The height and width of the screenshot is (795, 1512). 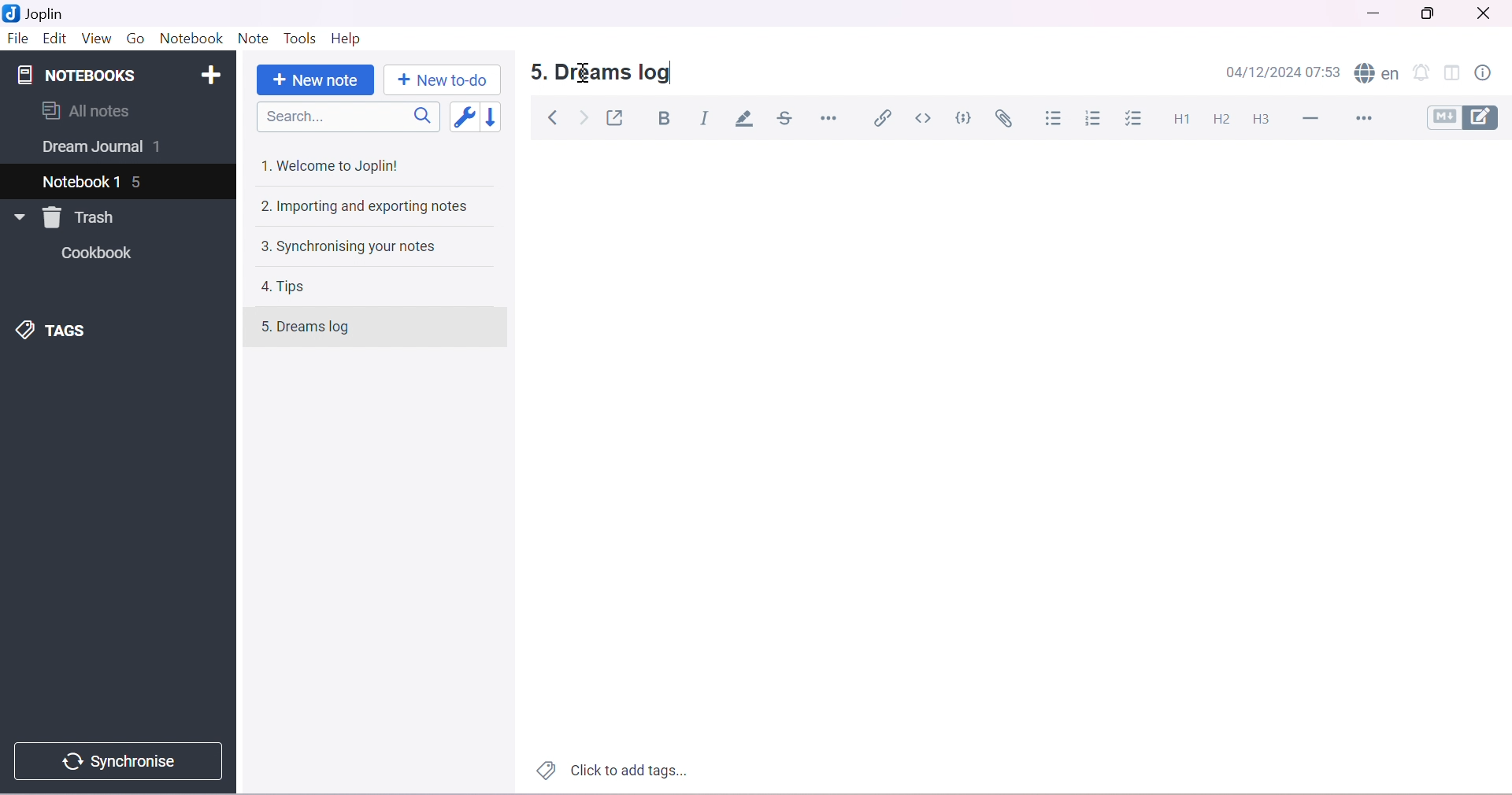 I want to click on Insert/edit link, so click(x=882, y=117).